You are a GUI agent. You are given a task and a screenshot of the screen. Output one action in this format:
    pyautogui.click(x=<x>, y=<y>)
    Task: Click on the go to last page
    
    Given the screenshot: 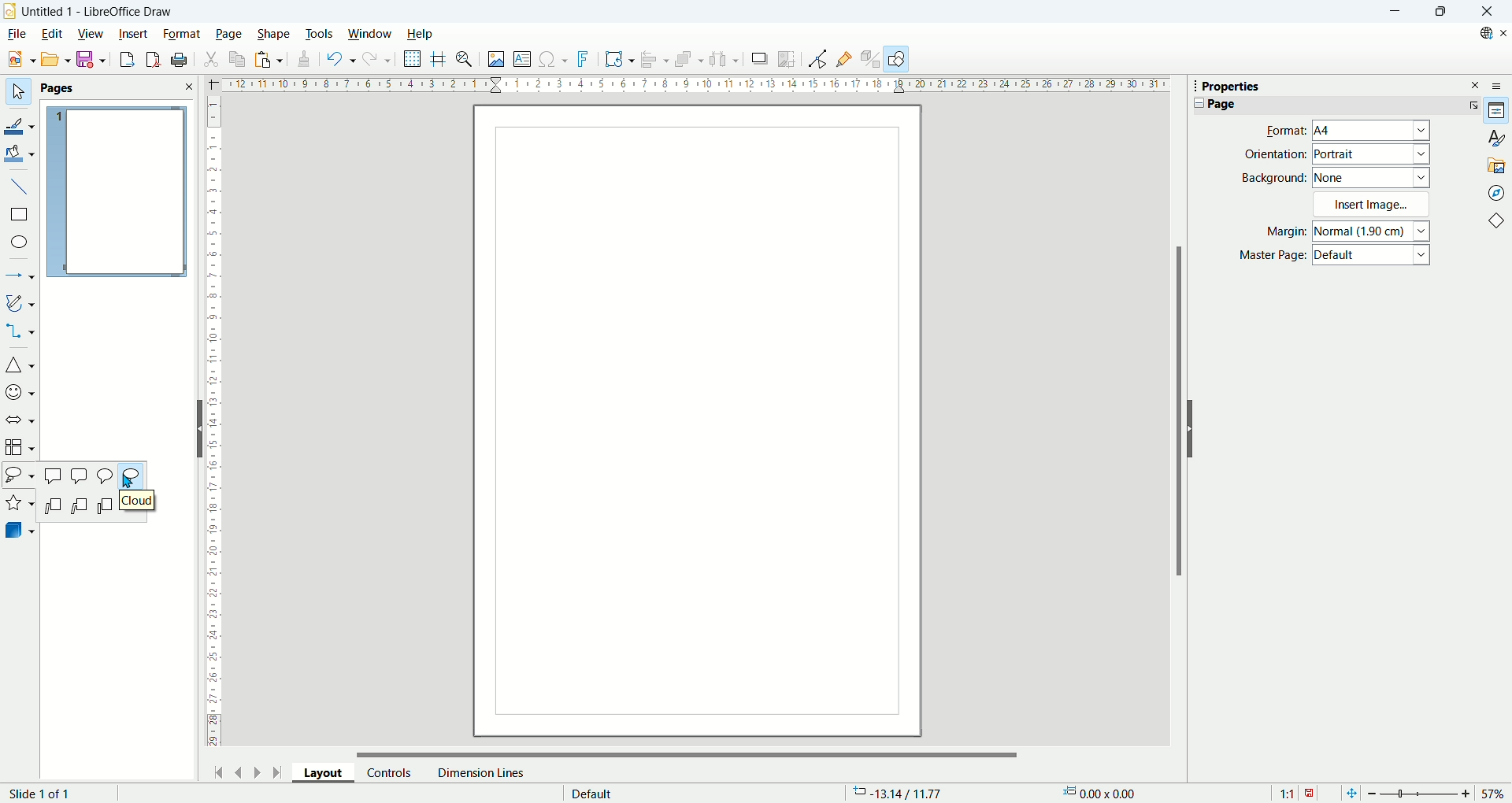 What is the action you would take?
    pyautogui.click(x=278, y=772)
    